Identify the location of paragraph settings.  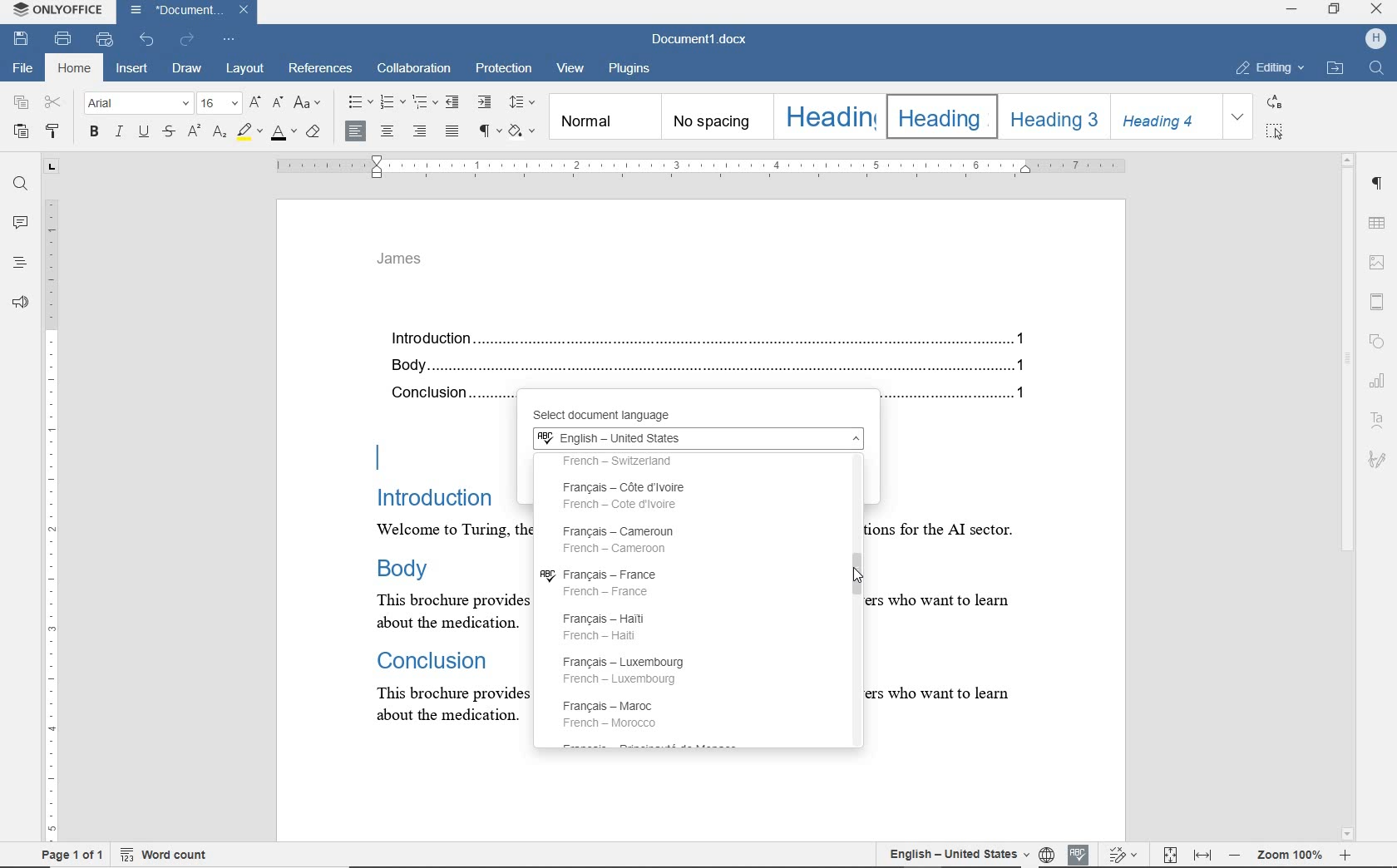
(1379, 186).